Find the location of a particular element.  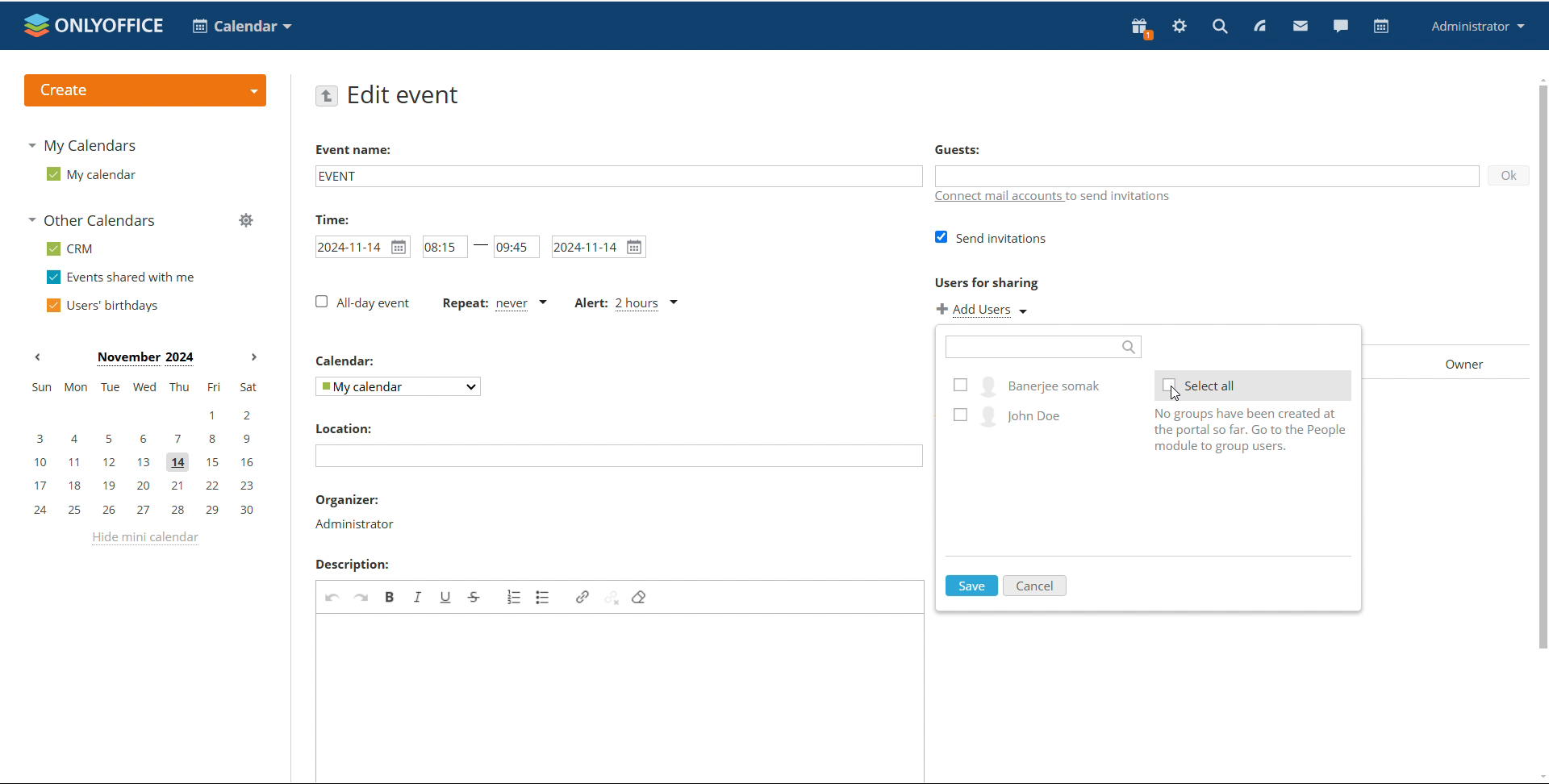

save is located at coordinates (971, 586).